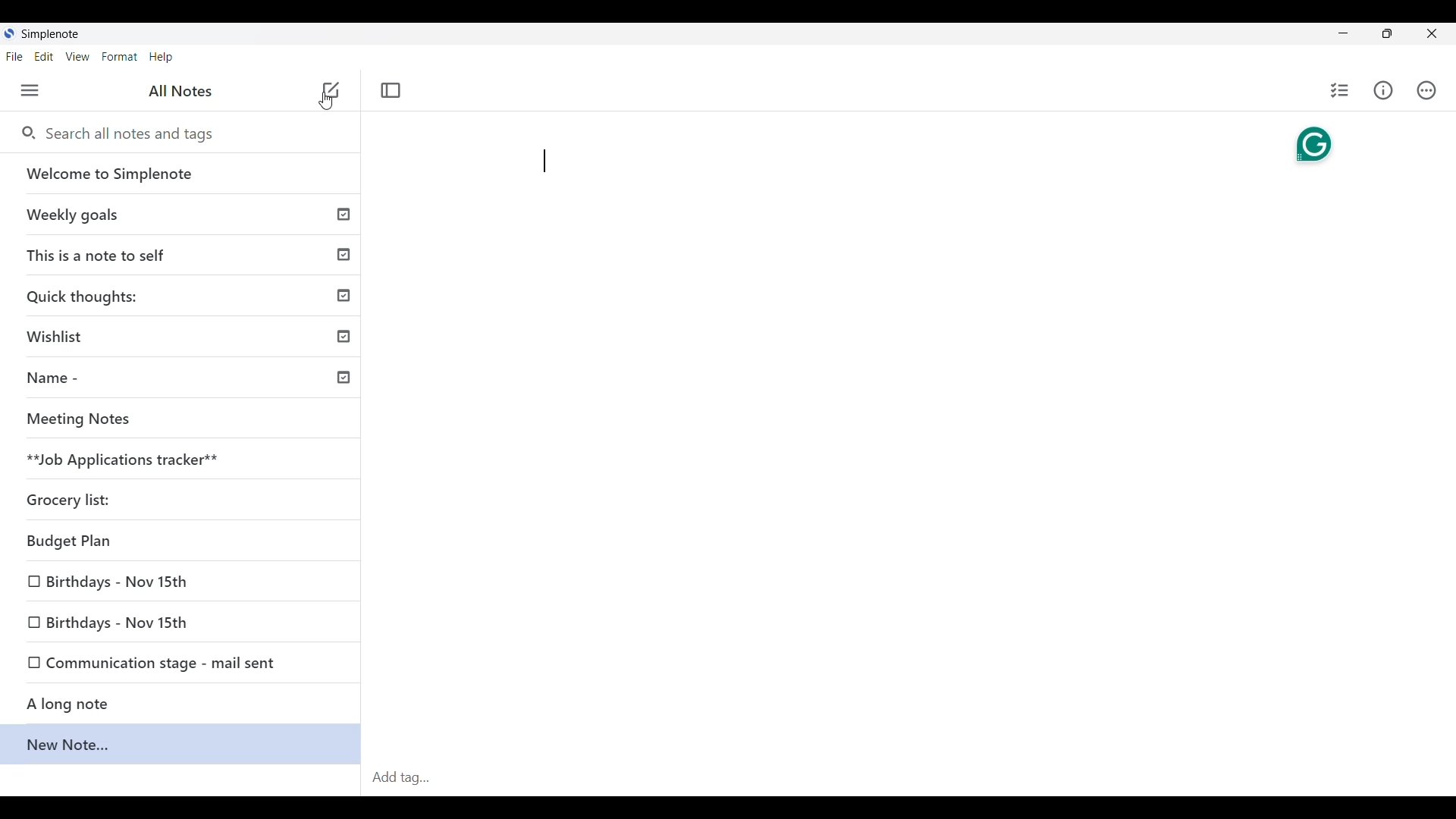 The image size is (1456, 819). What do you see at coordinates (44, 57) in the screenshot?
I see `Edit` at bounding box center [44, 57].